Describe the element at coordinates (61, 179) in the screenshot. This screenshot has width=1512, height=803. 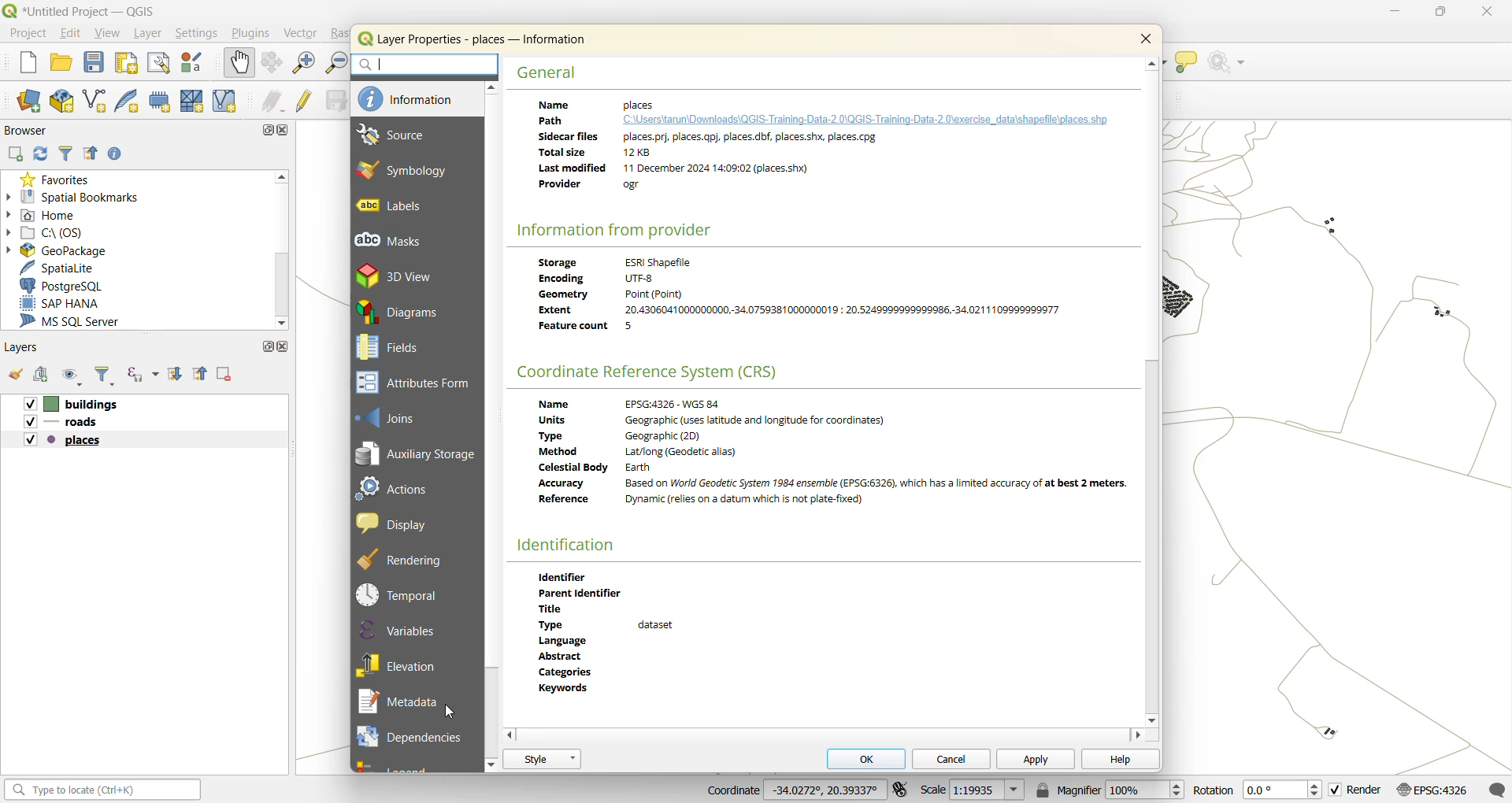
I see `favorites` at that location.